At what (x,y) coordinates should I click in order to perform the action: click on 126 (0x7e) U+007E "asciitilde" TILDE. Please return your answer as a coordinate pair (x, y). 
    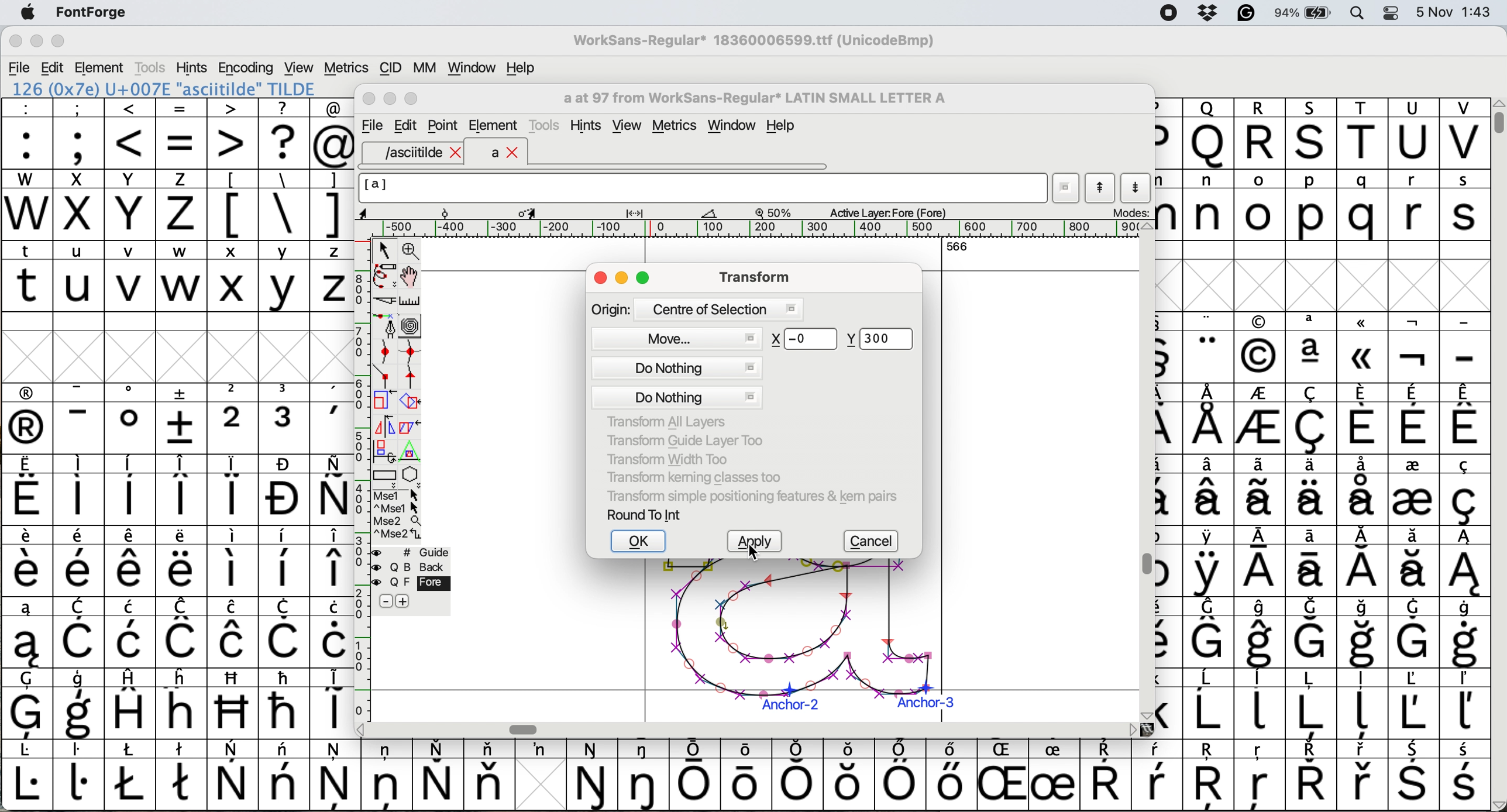
    Looking at the image, I should click on (165, 88).